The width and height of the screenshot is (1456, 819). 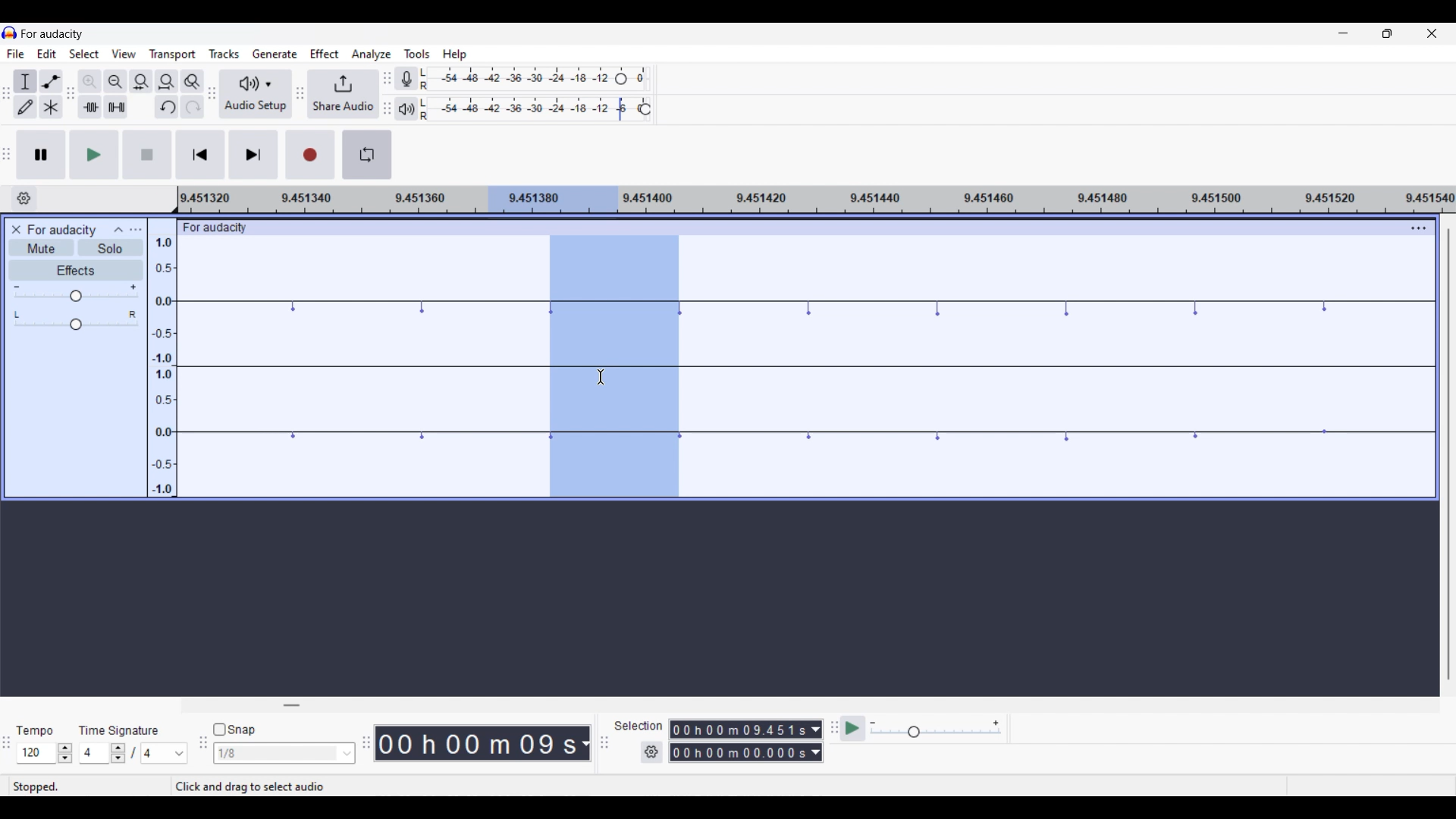 What do you see at coordinates (193, 81) in the screenshot?
I see `Zoom toggle` at bounding box center [193, 81].